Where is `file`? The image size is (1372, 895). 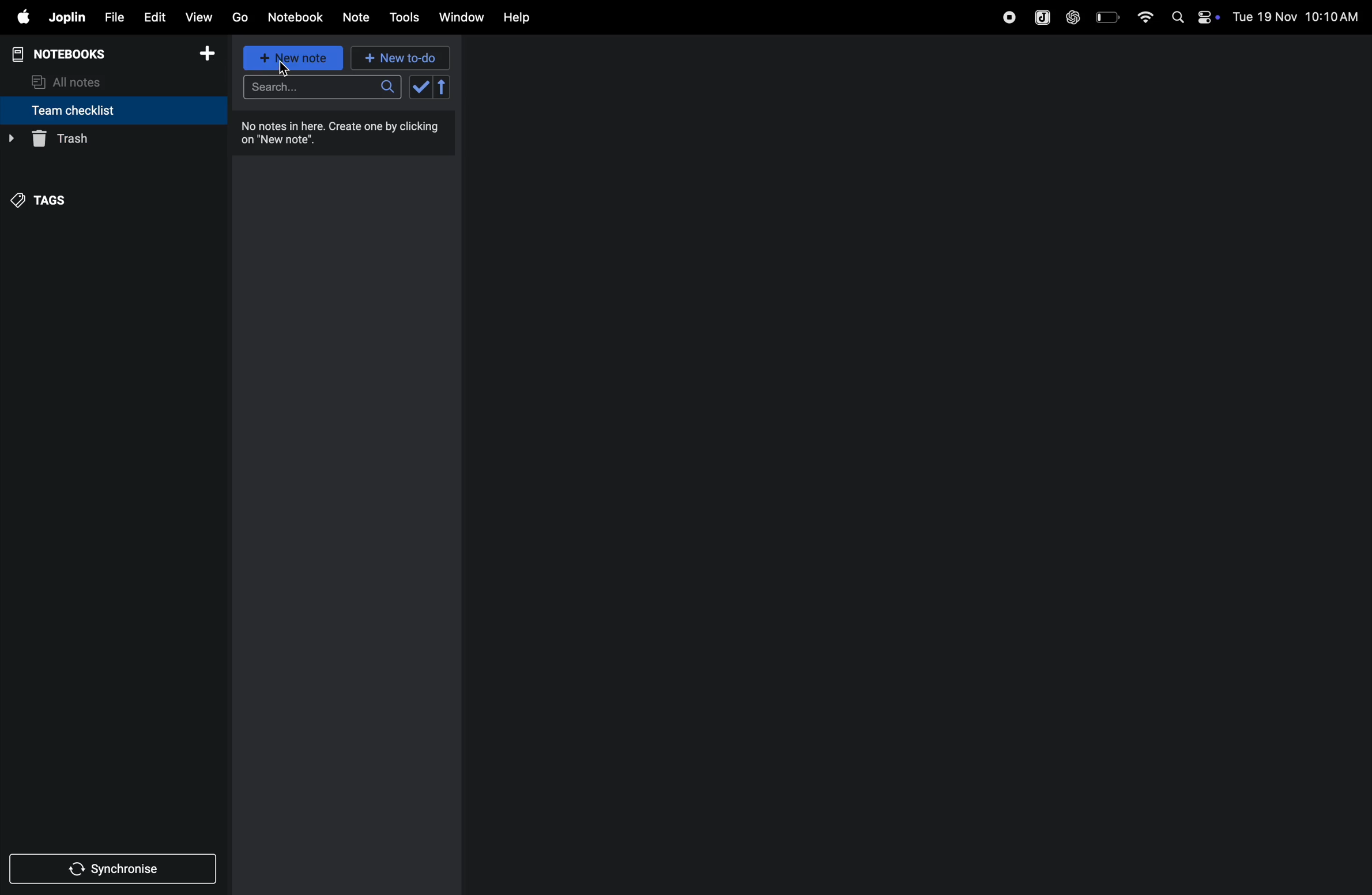
file is located at coordinates (114, 16).